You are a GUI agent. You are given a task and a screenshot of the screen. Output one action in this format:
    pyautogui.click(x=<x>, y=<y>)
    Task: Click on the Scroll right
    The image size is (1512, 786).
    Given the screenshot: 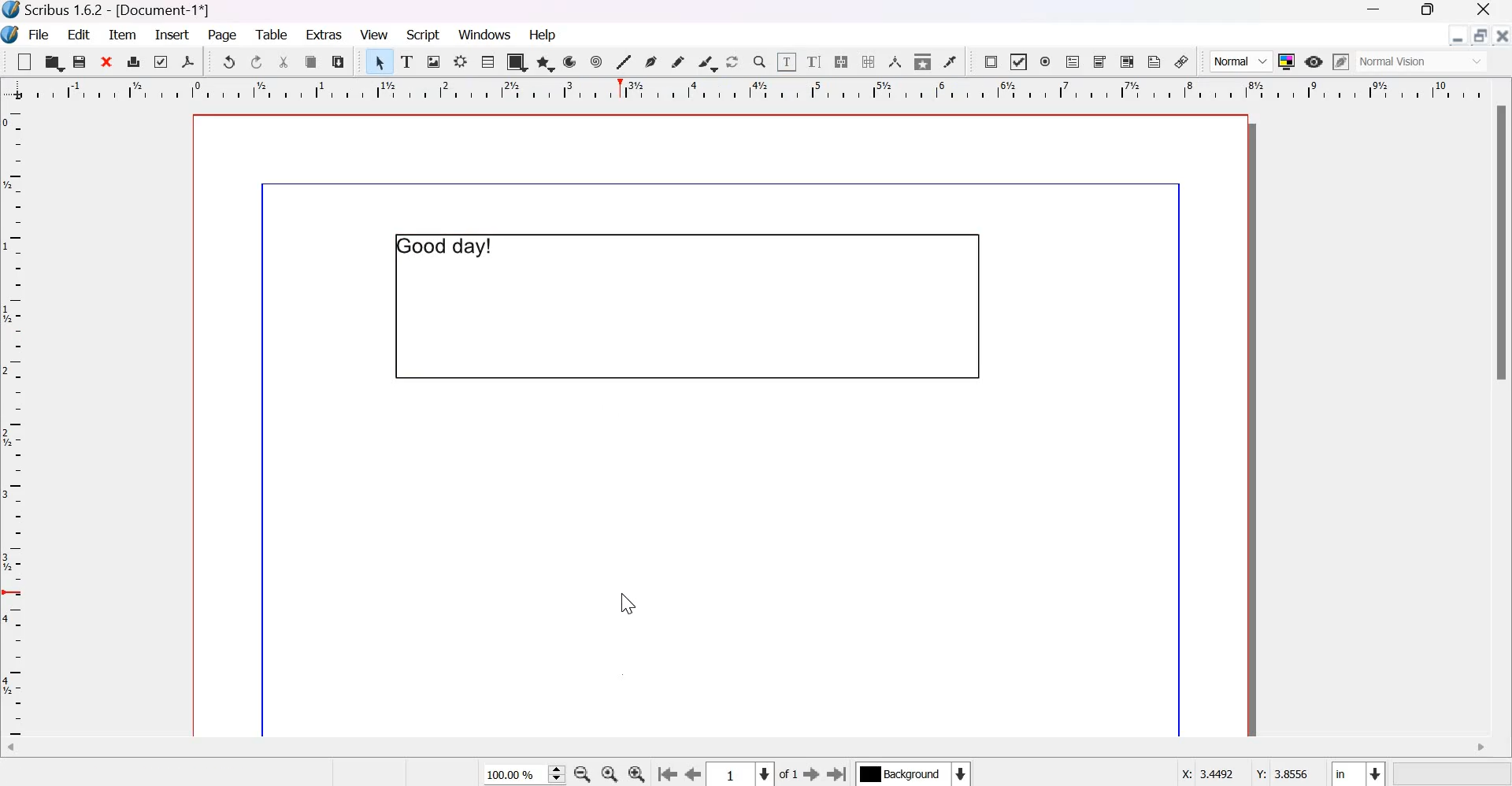 What is the action you would take?
    pyautogui.click(x=1480, y=748)
    